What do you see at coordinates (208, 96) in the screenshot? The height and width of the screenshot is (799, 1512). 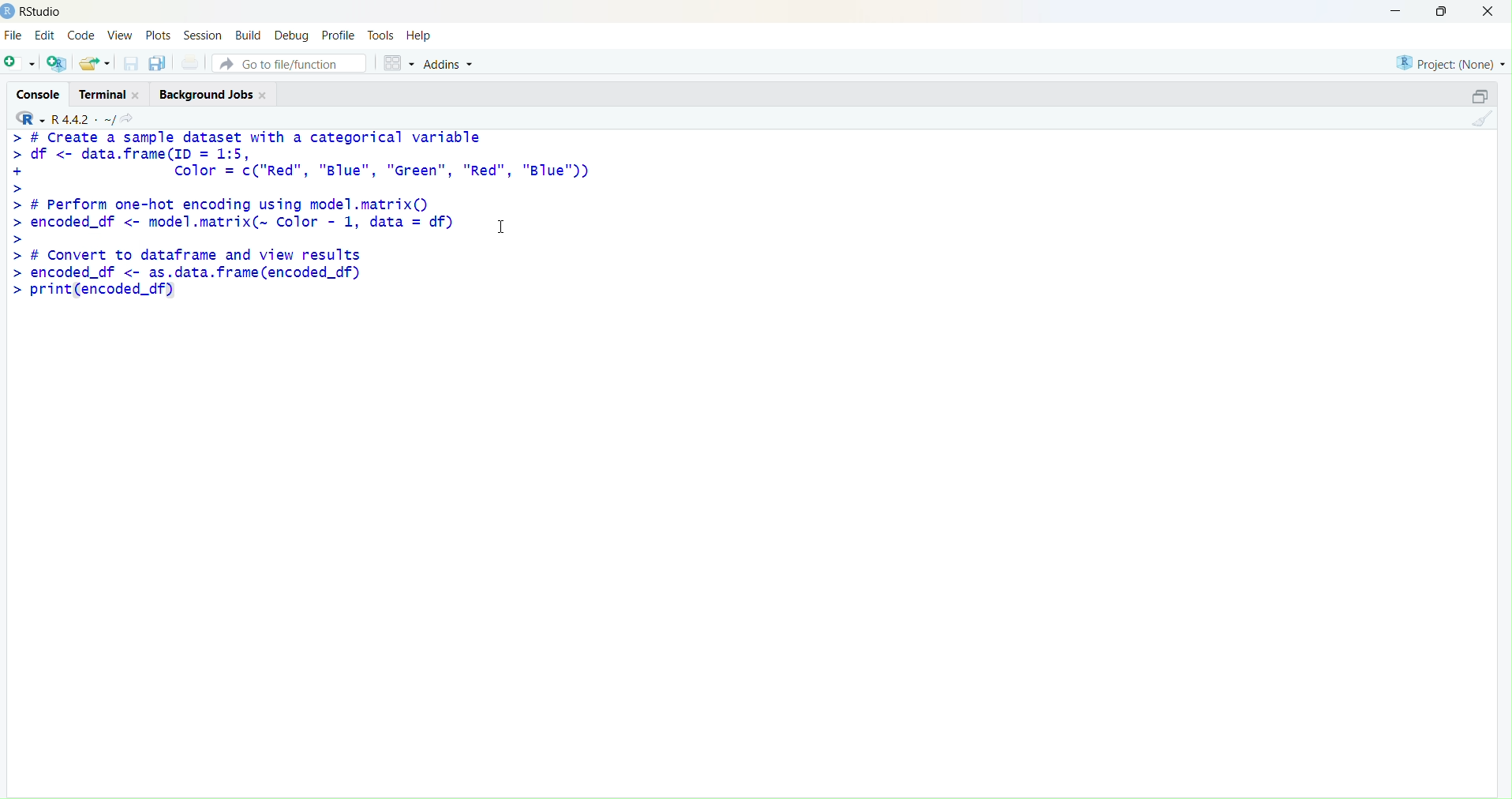 I see `background jobs` at bounding box center [208, 96].